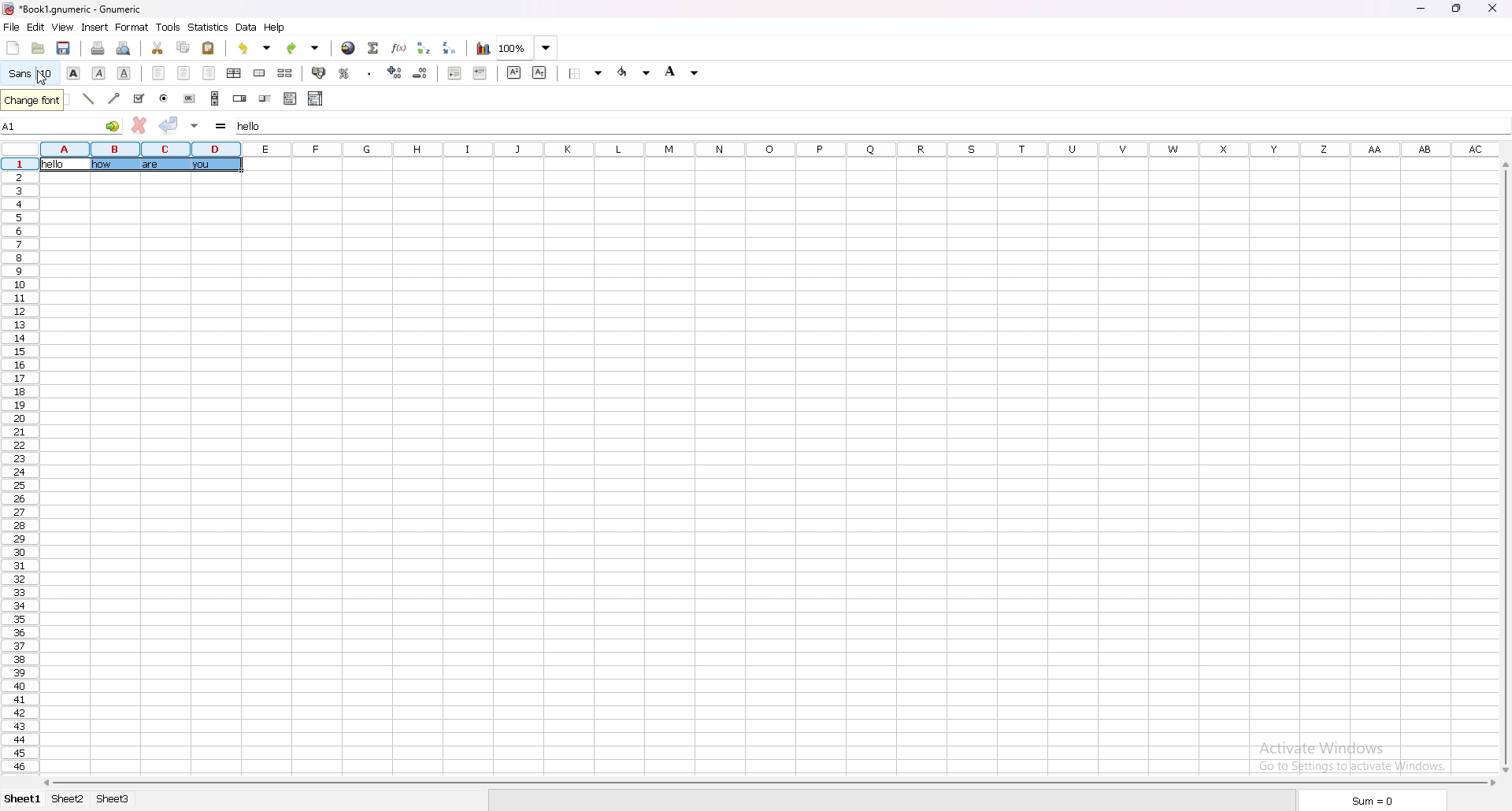 The width and height of the screenshot is (1512, 811). Describe the element at coordinates (132, 28) in the screenshot. I see `format` at that location.